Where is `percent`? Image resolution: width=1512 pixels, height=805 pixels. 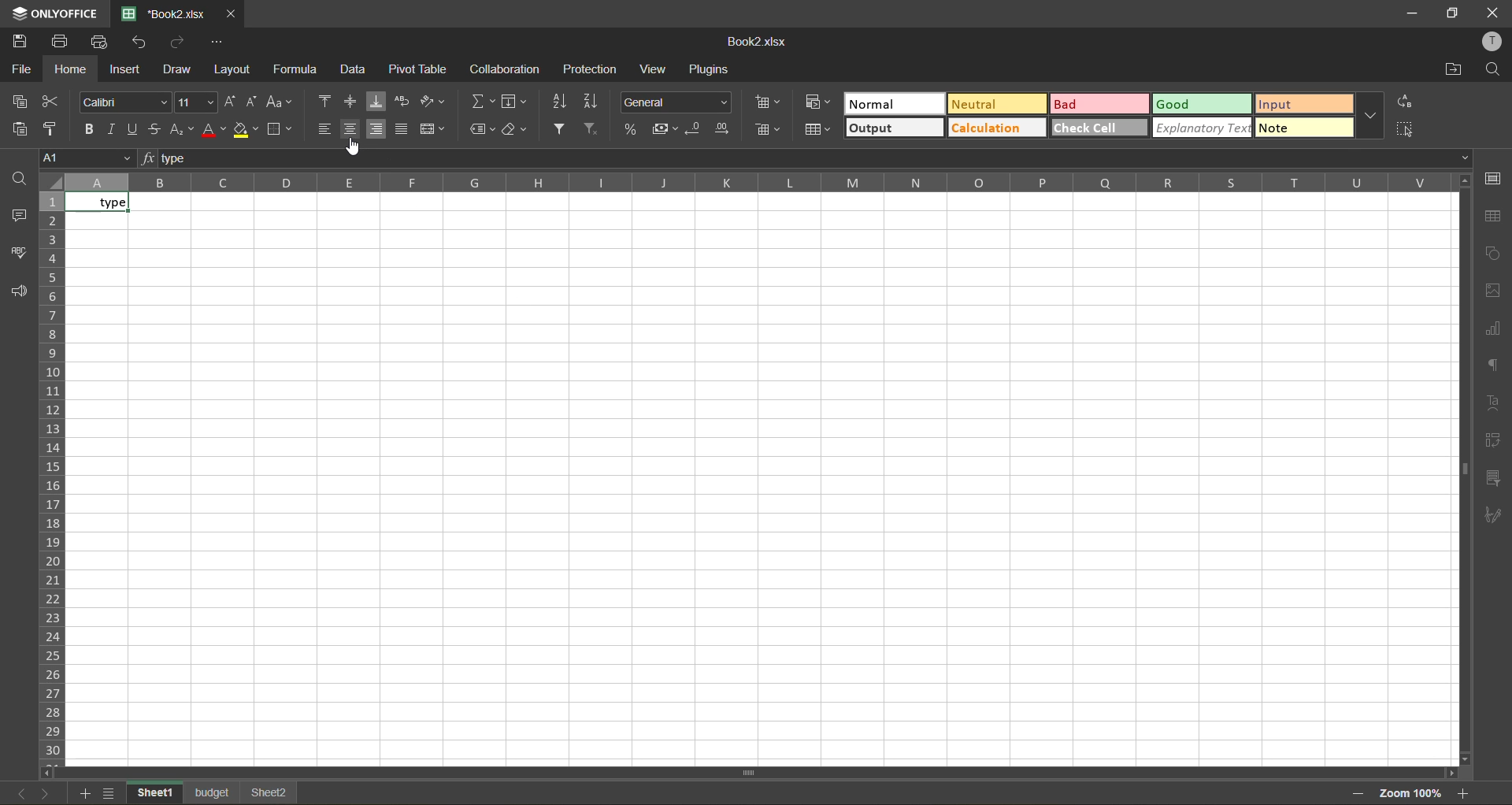
percent is located at coordinates (634, 127).